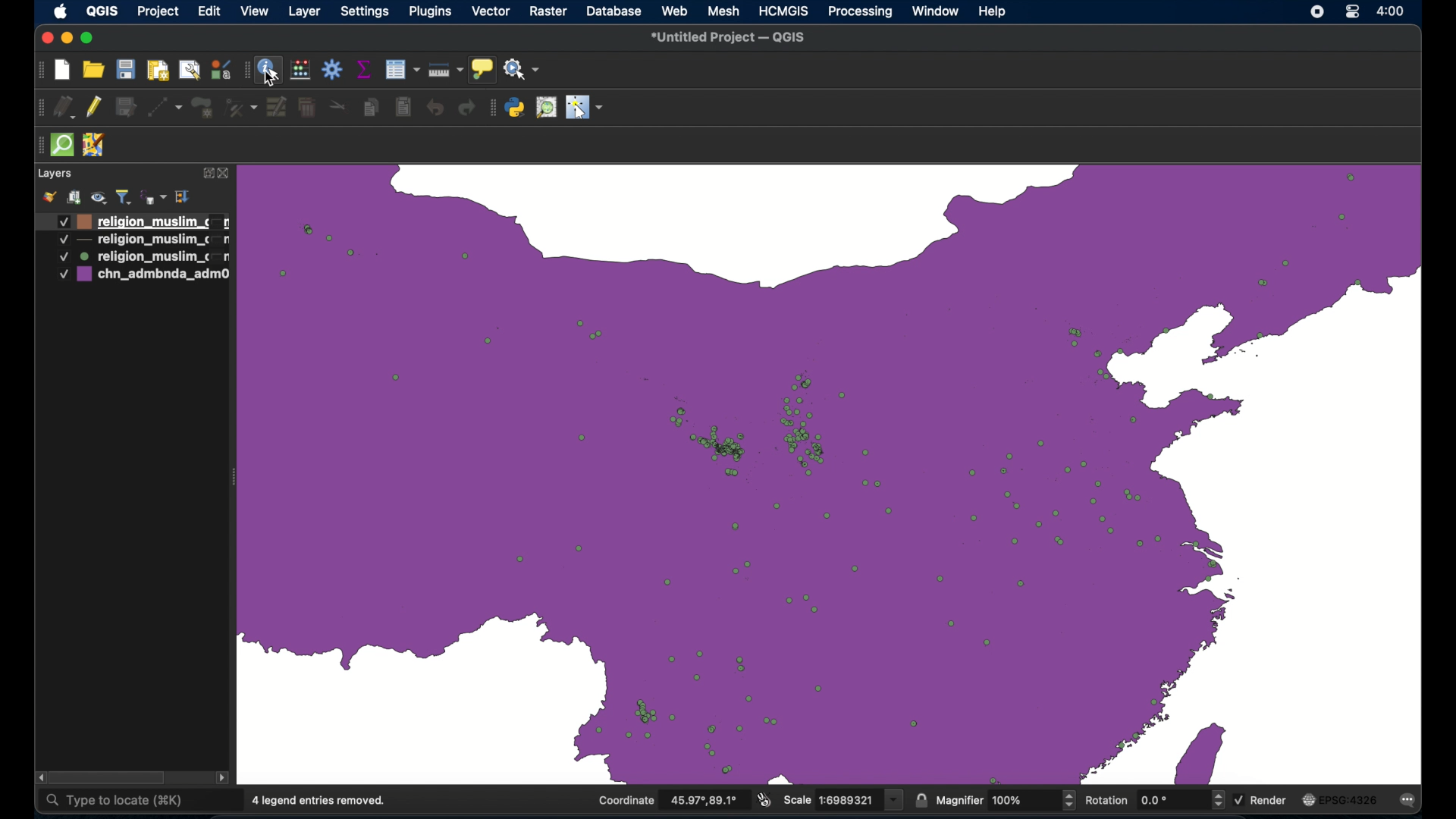 The image size is (1456, 819). Describe the element at coordinates (114, 803) in the screenshot. I see `type to locate` at that location.